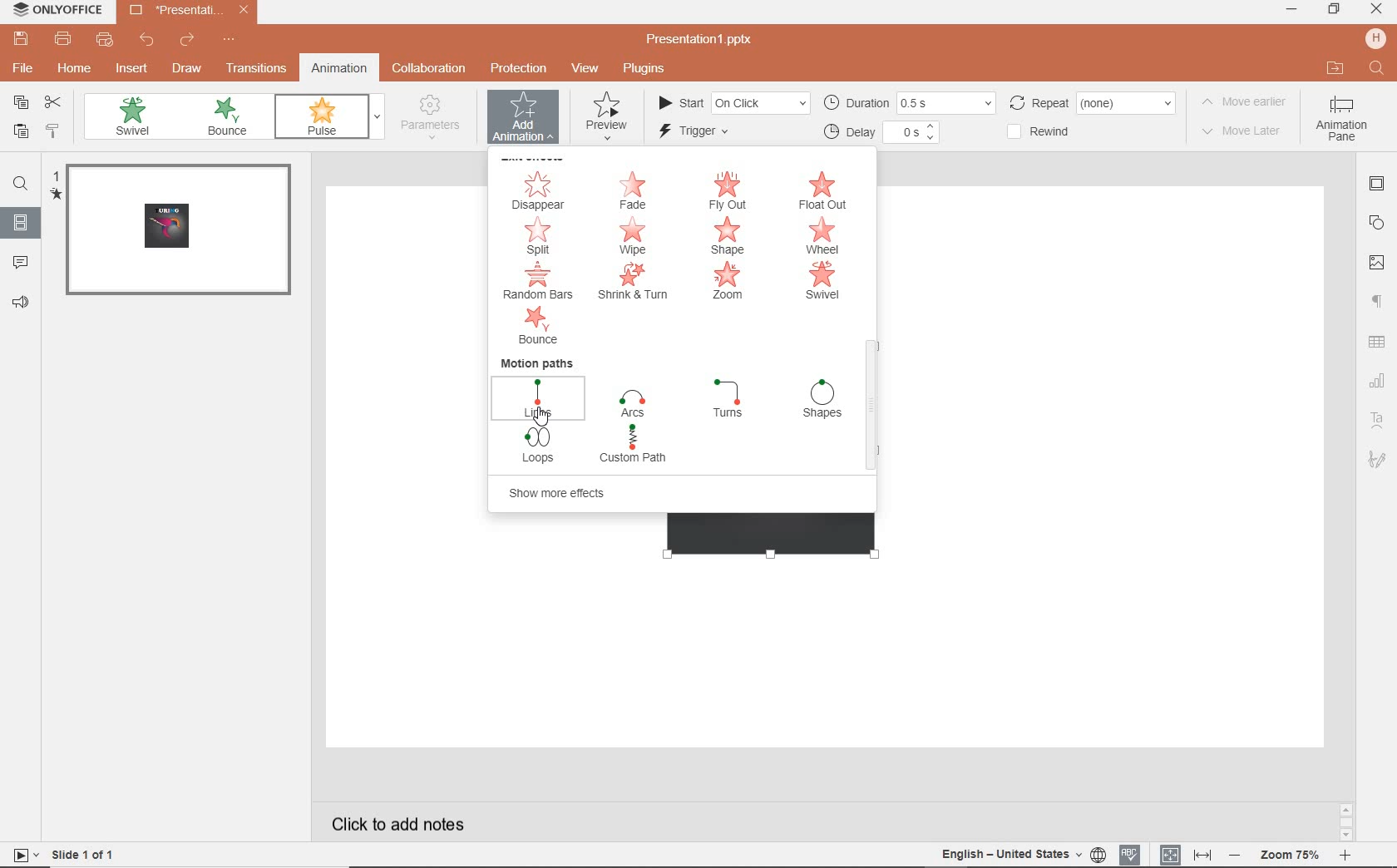 The image size is (1397, 868). What do you see at coordinates (728, 401) in the screenshot?
I see `turns` at bounding box center [728, 401].